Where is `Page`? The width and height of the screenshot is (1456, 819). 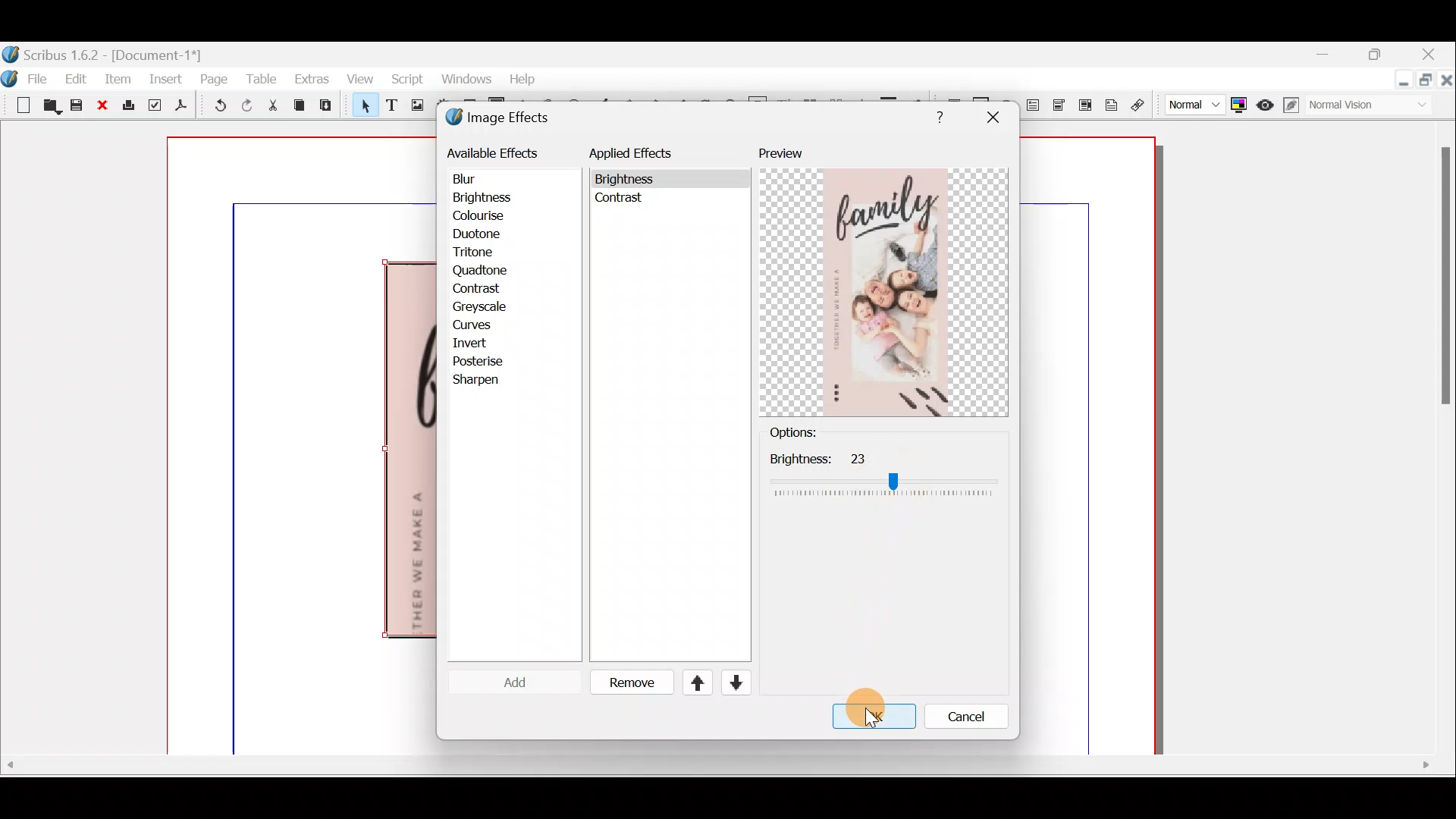
Page is located at coordinates (215, 78).